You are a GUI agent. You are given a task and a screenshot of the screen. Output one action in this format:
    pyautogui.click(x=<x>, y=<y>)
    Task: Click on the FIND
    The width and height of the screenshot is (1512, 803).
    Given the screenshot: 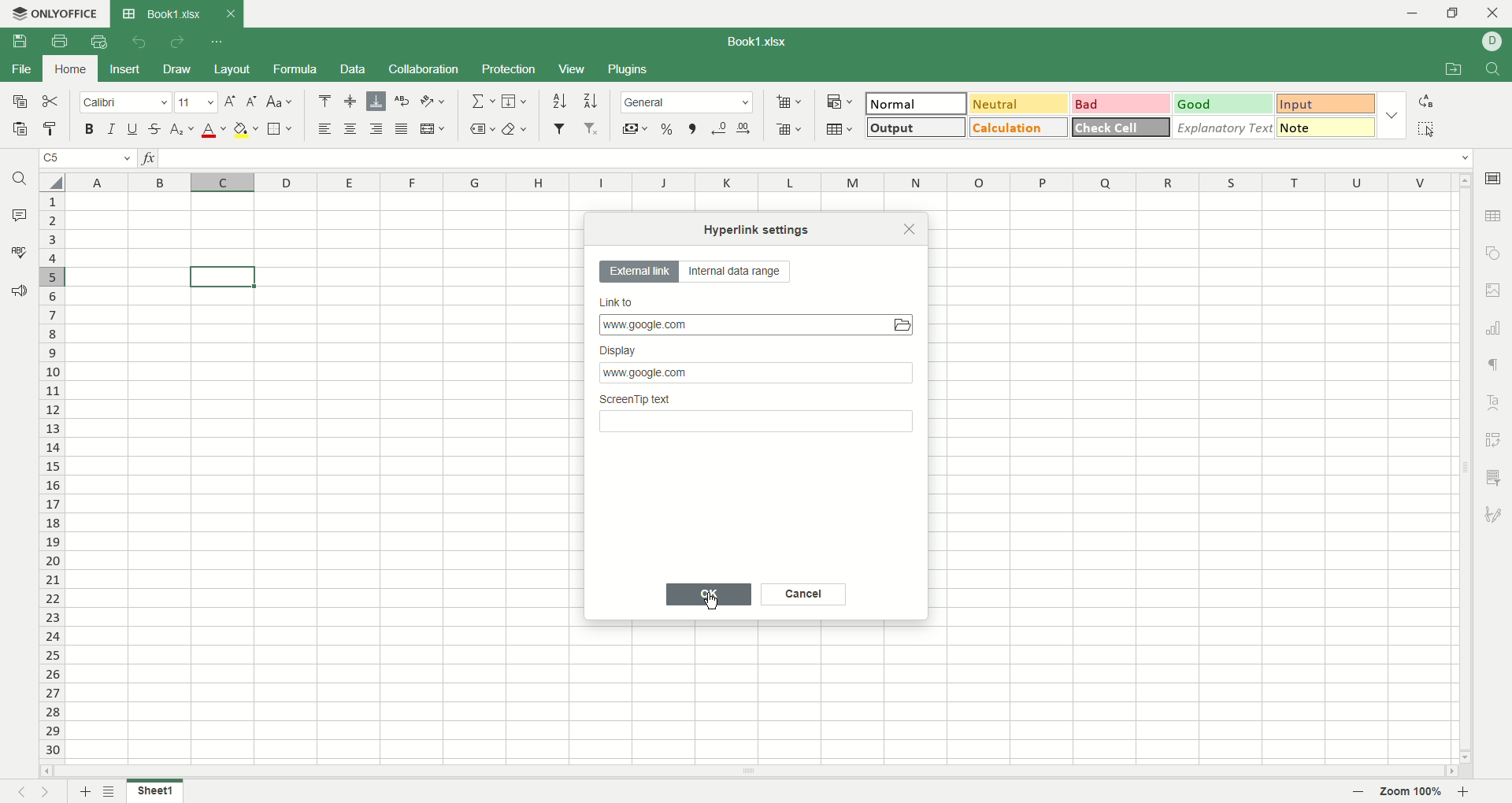 What is the action you would take?
    pyautogui.click(x=1490, y=70)
    